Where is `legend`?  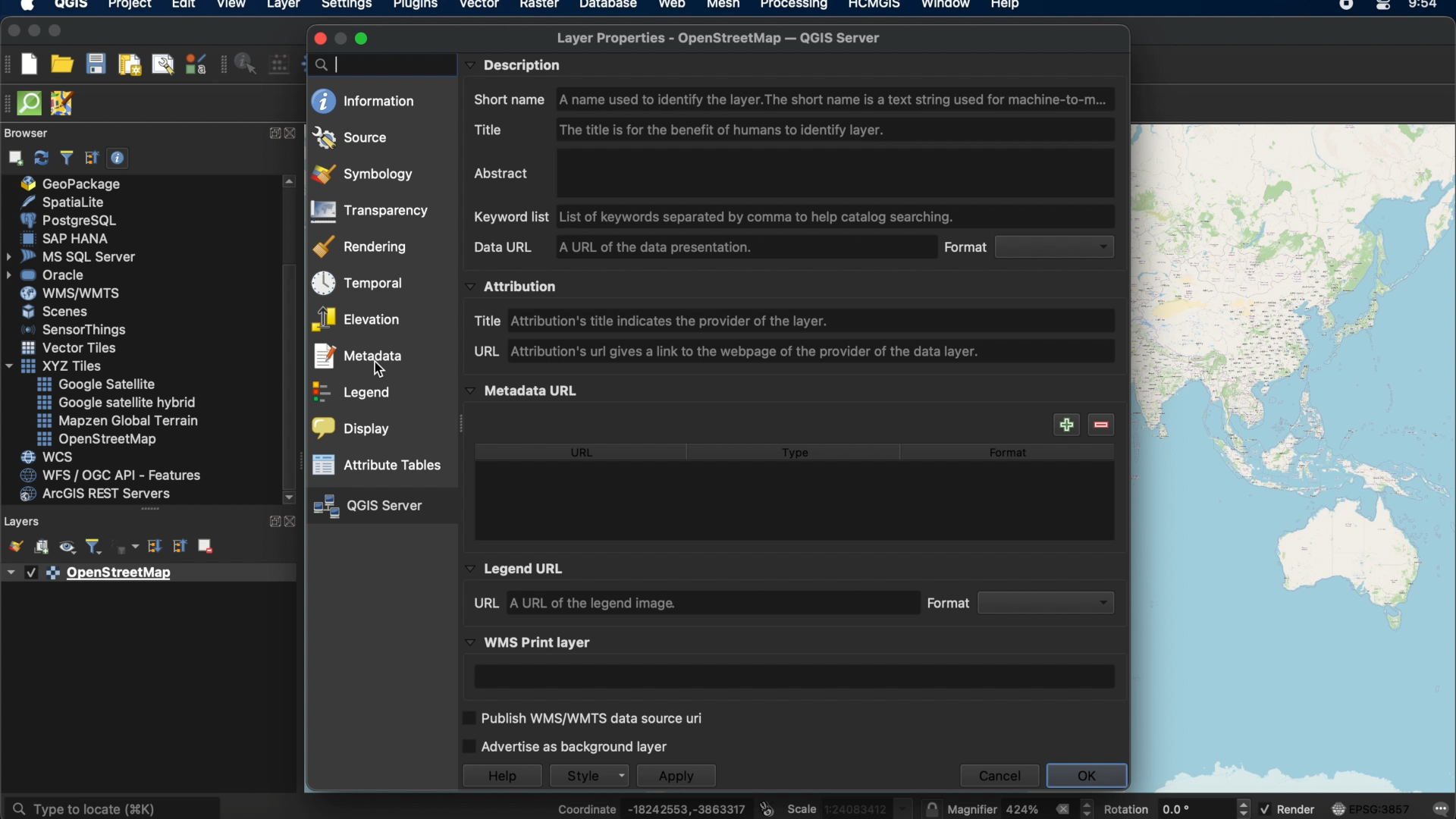
legend is located at coordinates (352, 394).